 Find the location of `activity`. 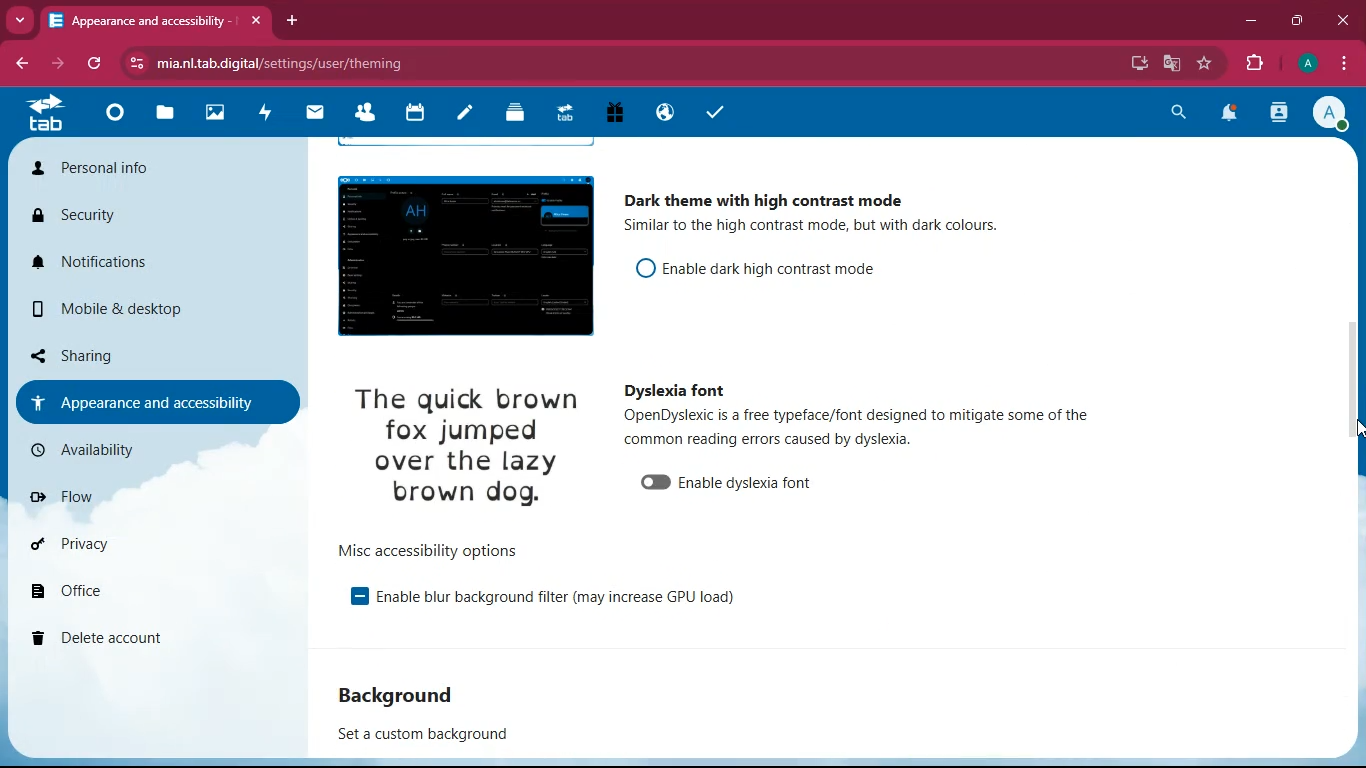

activity is located at coordinates (1276, 115).